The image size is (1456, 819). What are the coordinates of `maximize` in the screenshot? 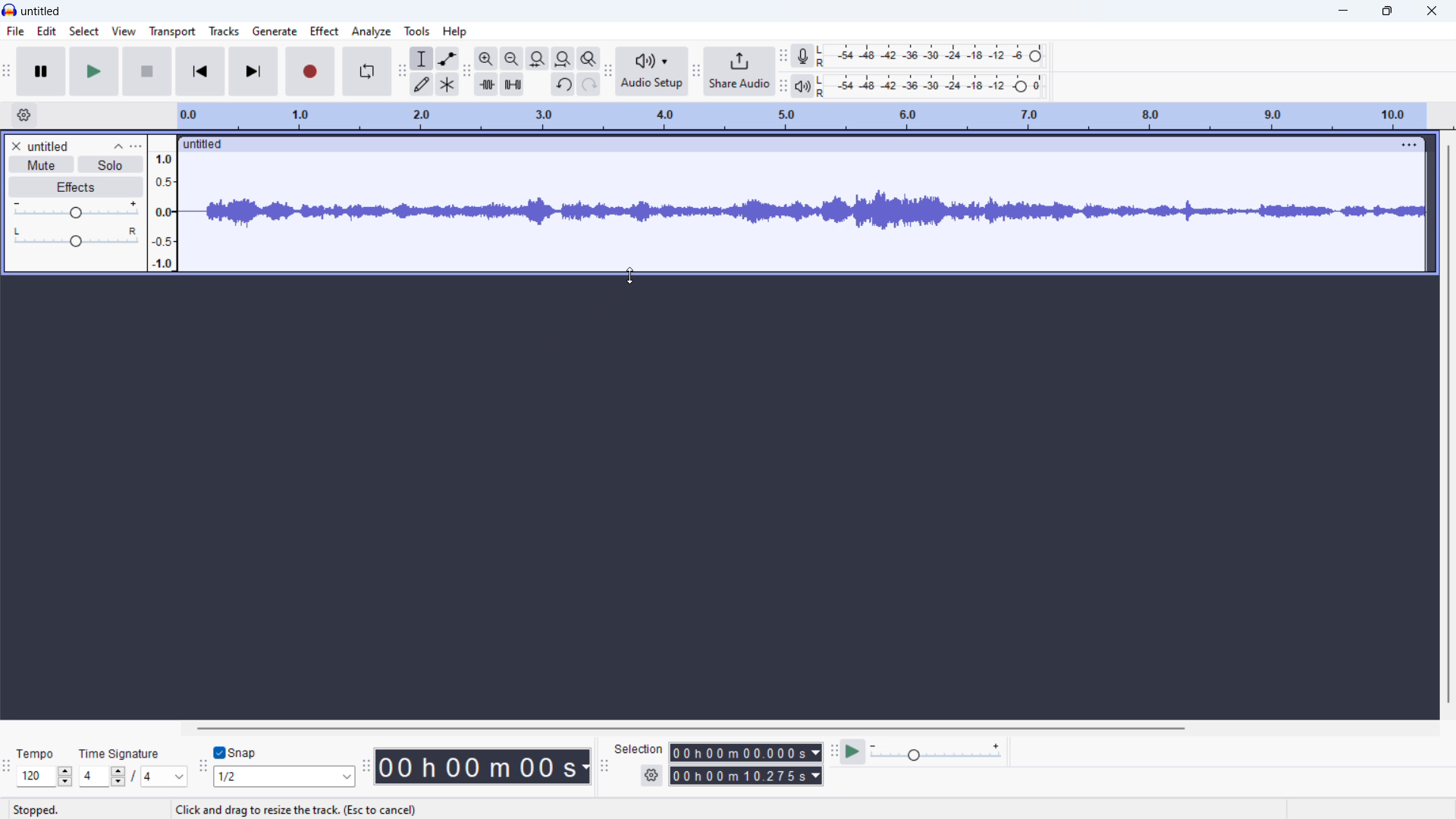 It's located at (1385, 11).